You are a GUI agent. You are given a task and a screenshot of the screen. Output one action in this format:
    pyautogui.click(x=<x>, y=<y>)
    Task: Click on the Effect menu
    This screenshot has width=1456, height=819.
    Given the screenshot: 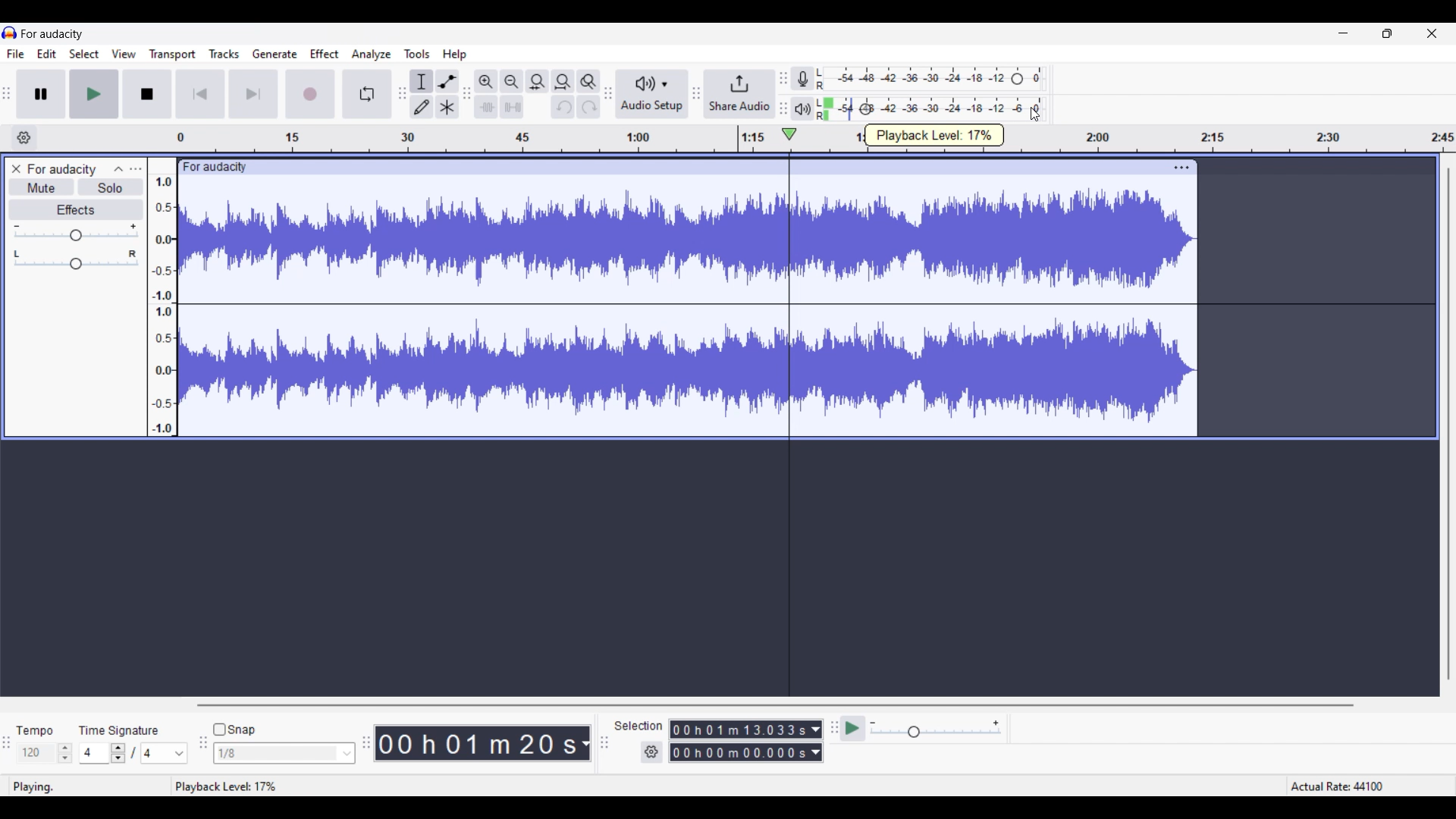 What is the action you would take?
    pyautogui.click(x=325, y=53)
    